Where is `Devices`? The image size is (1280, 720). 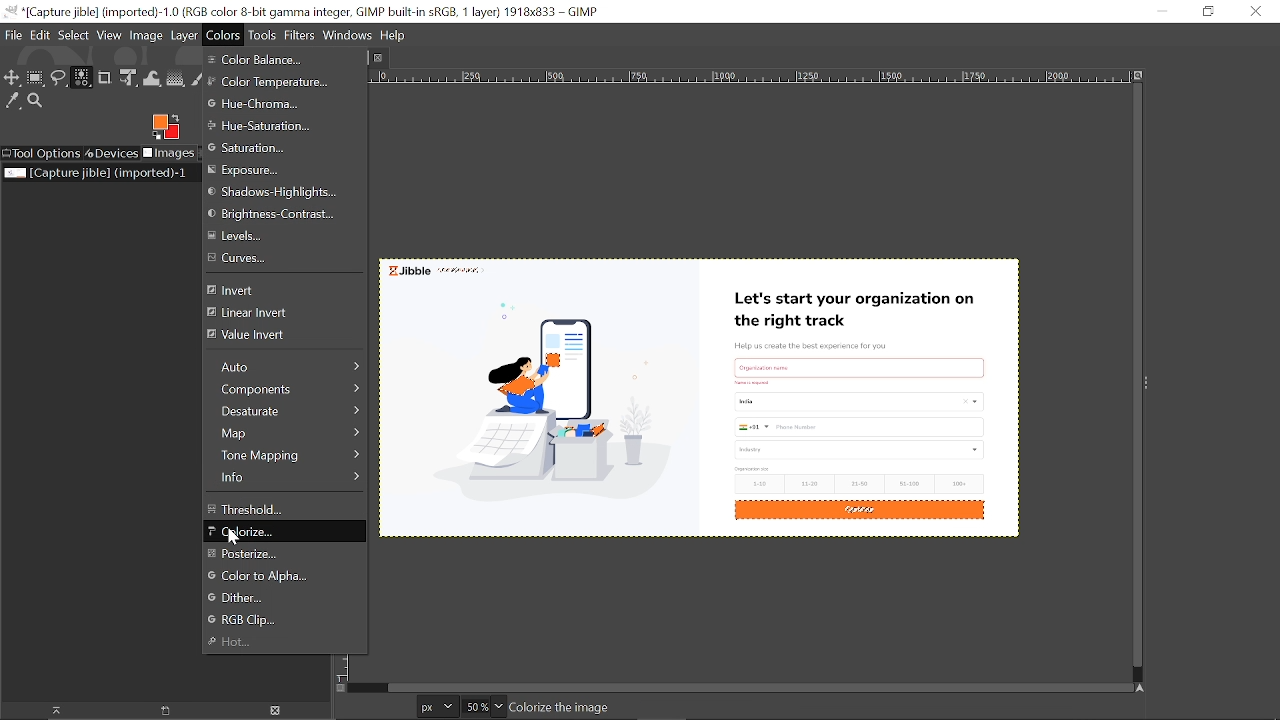
Devices is located at coordinates (111, 154).